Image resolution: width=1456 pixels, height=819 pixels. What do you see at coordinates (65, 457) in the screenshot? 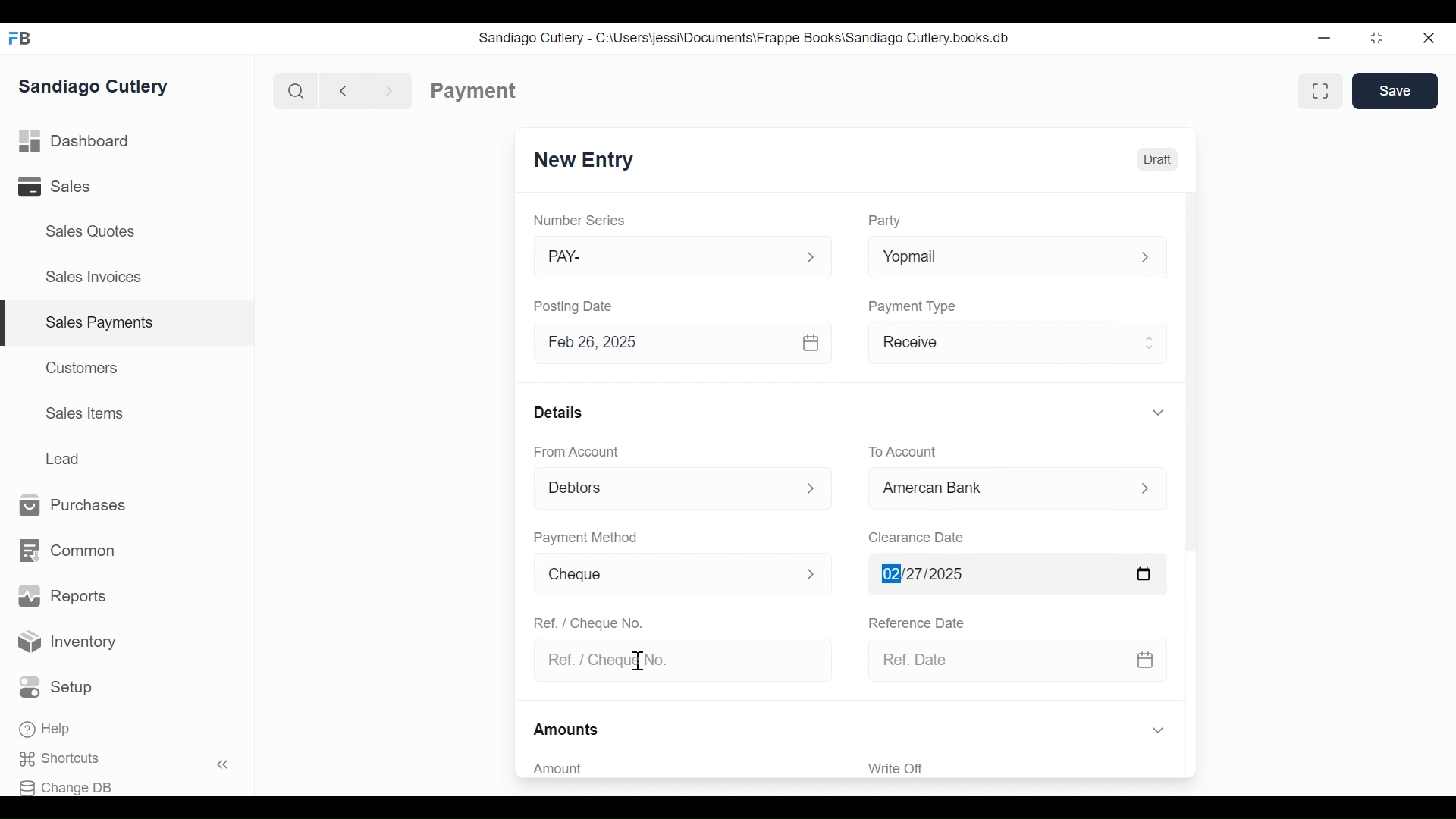
I see `Lead` at bounding box center [65, 457].